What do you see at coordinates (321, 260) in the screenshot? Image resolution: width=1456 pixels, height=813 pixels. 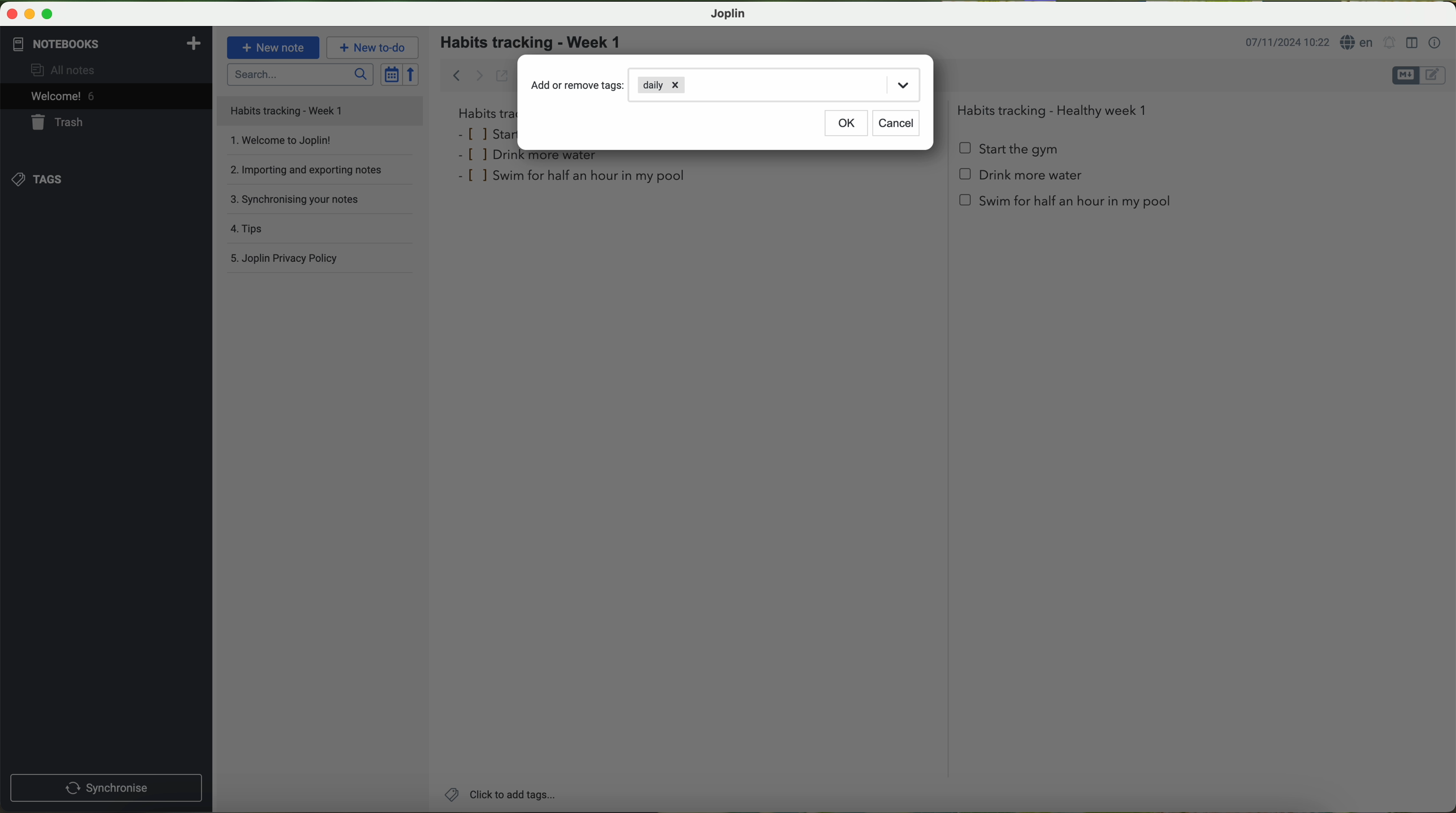 I see `Joplin privacy policy` at bounding box center [321, 260].